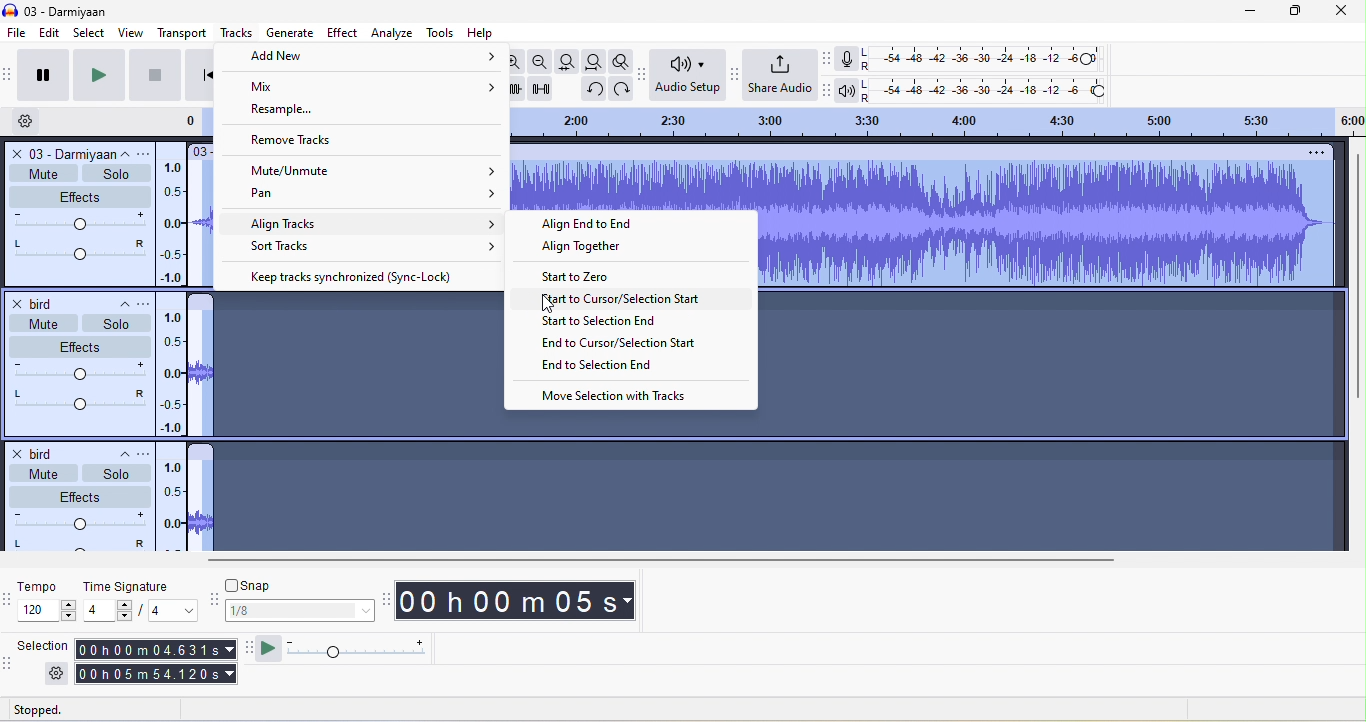  I want to click on bird, so click(38, 302).